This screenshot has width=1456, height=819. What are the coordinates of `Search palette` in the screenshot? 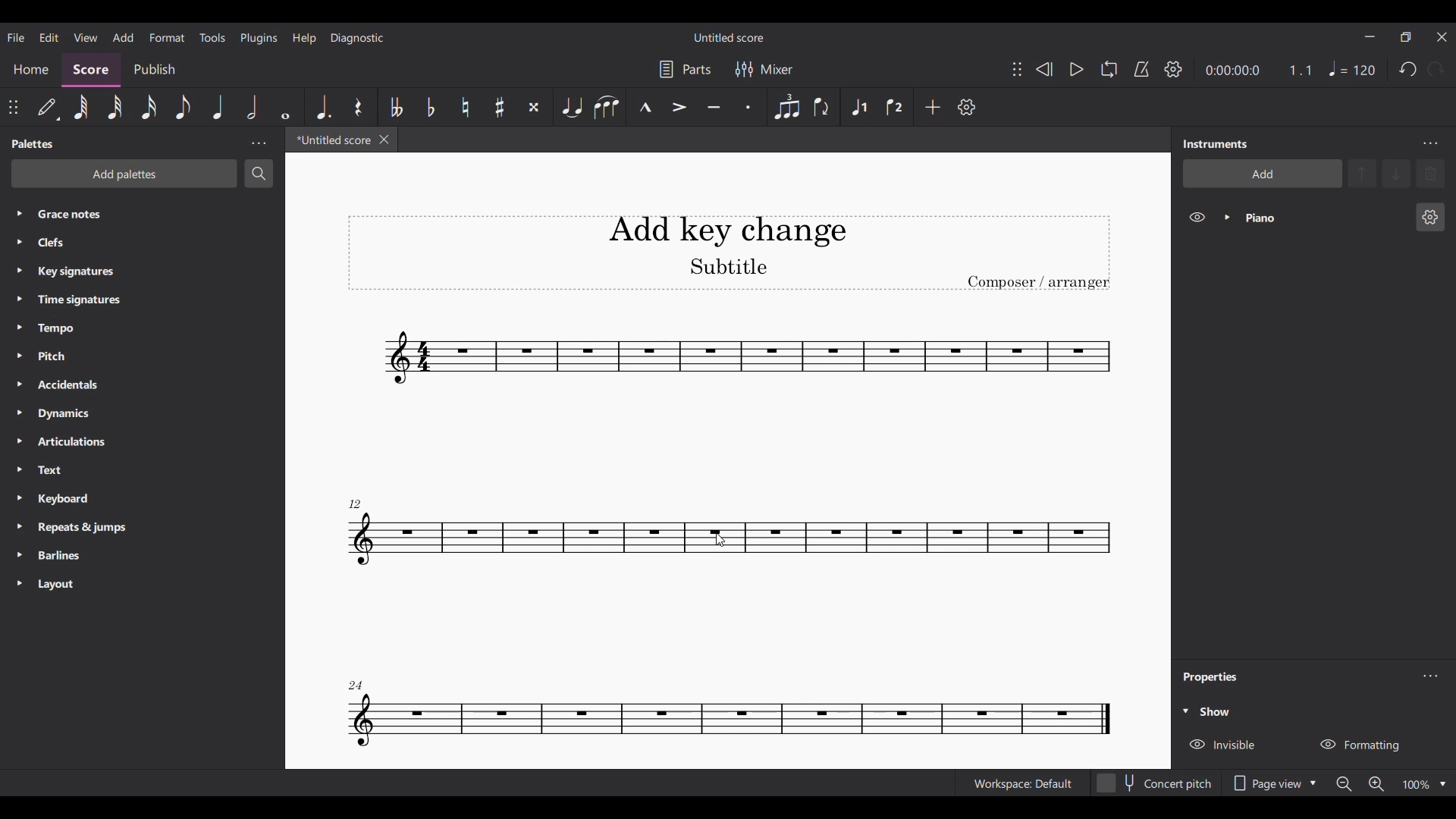 It's located at (259, 173).